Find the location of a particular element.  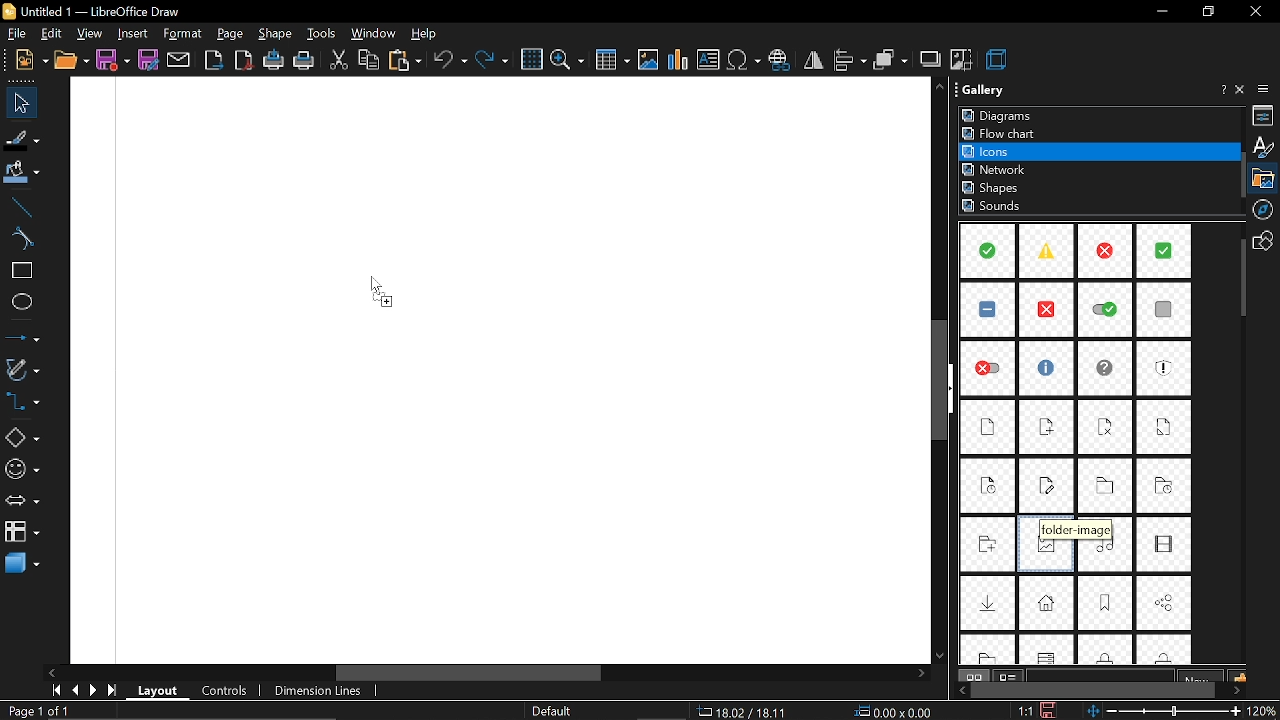

tools is located at coordinates (322, 34).